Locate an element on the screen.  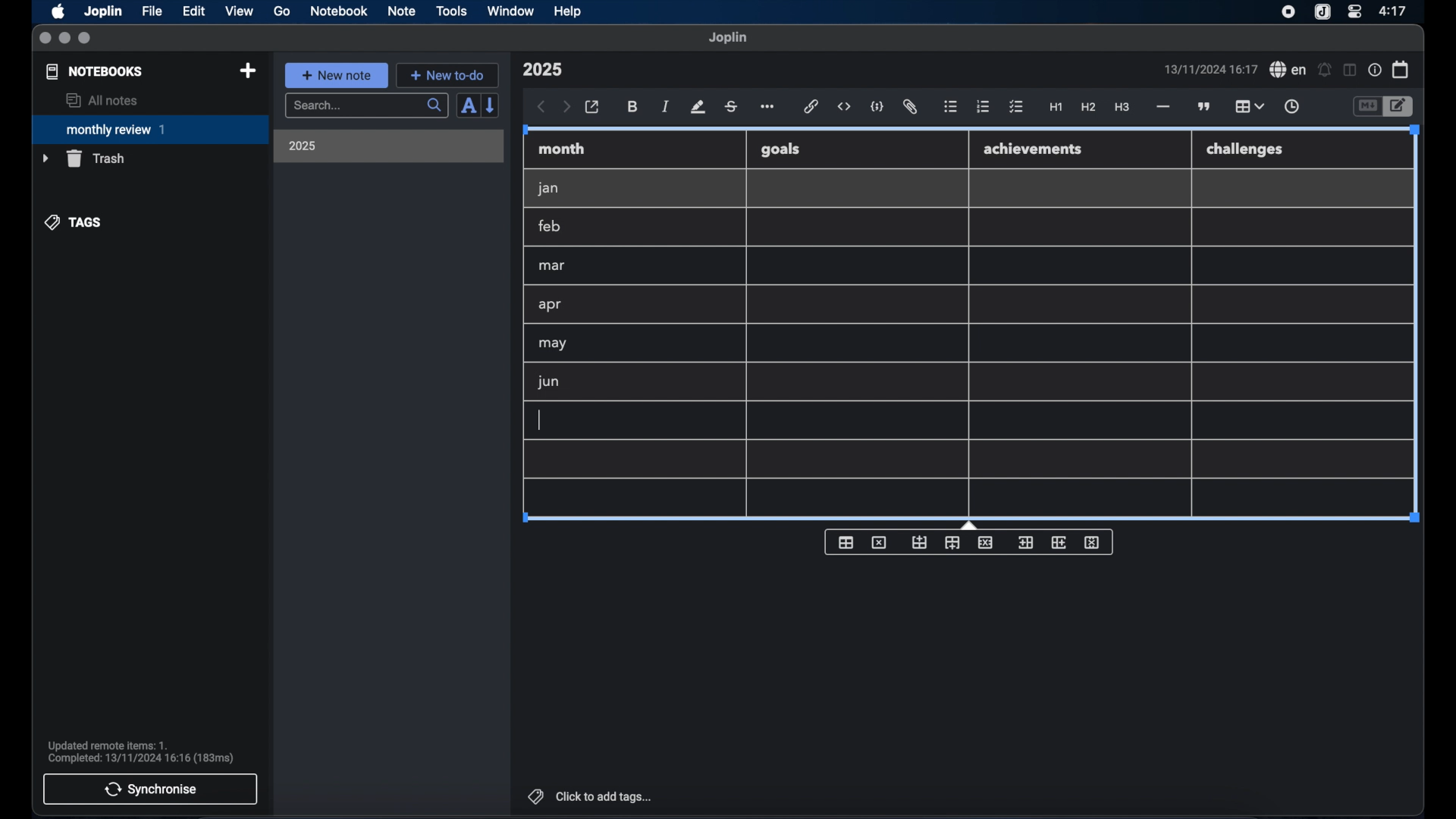
trash is located at coordinates (83, 158).